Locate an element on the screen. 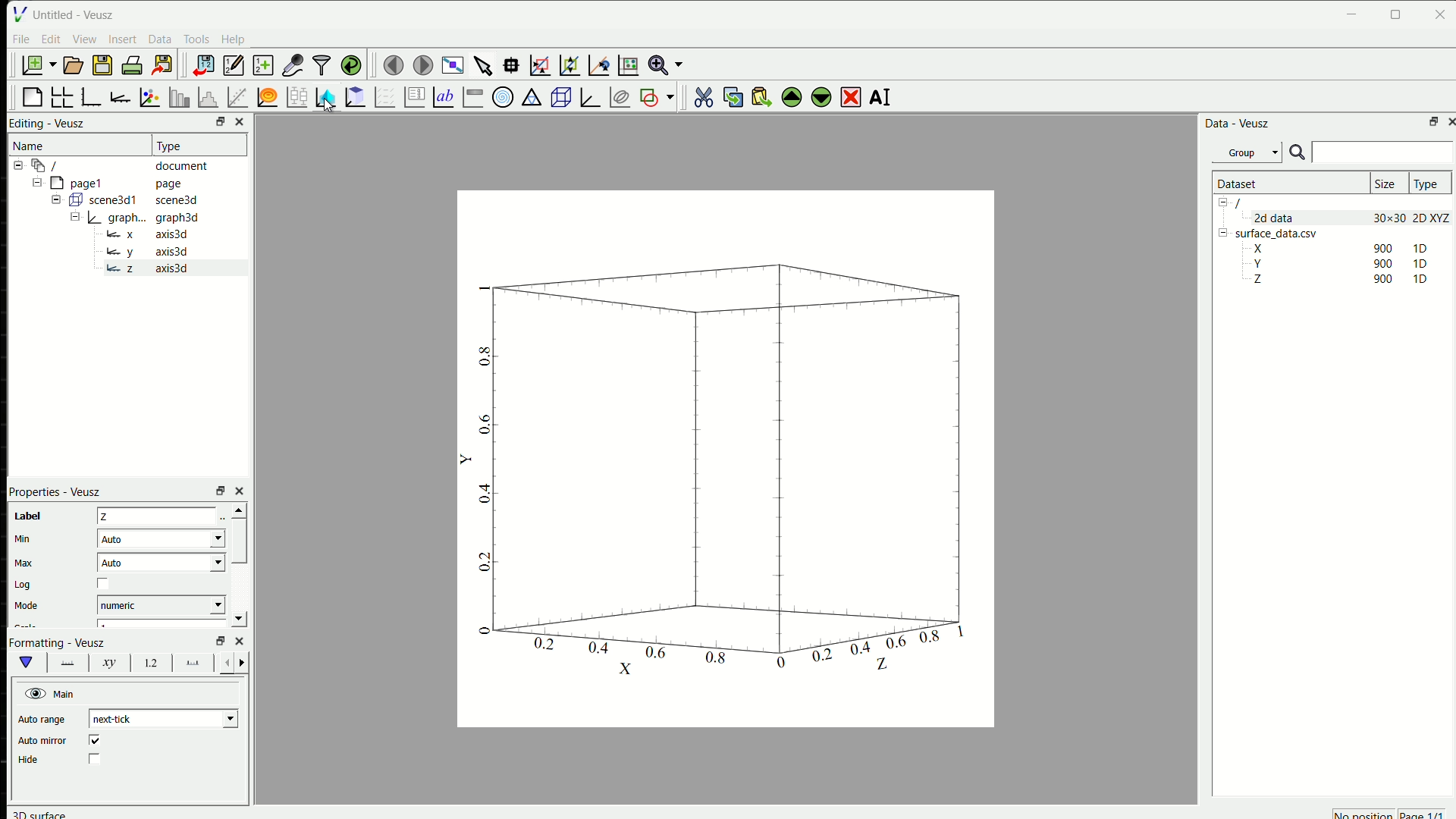 The height and width of the screenshot is (819, 1456). Type is located at coordinates (168, 146).